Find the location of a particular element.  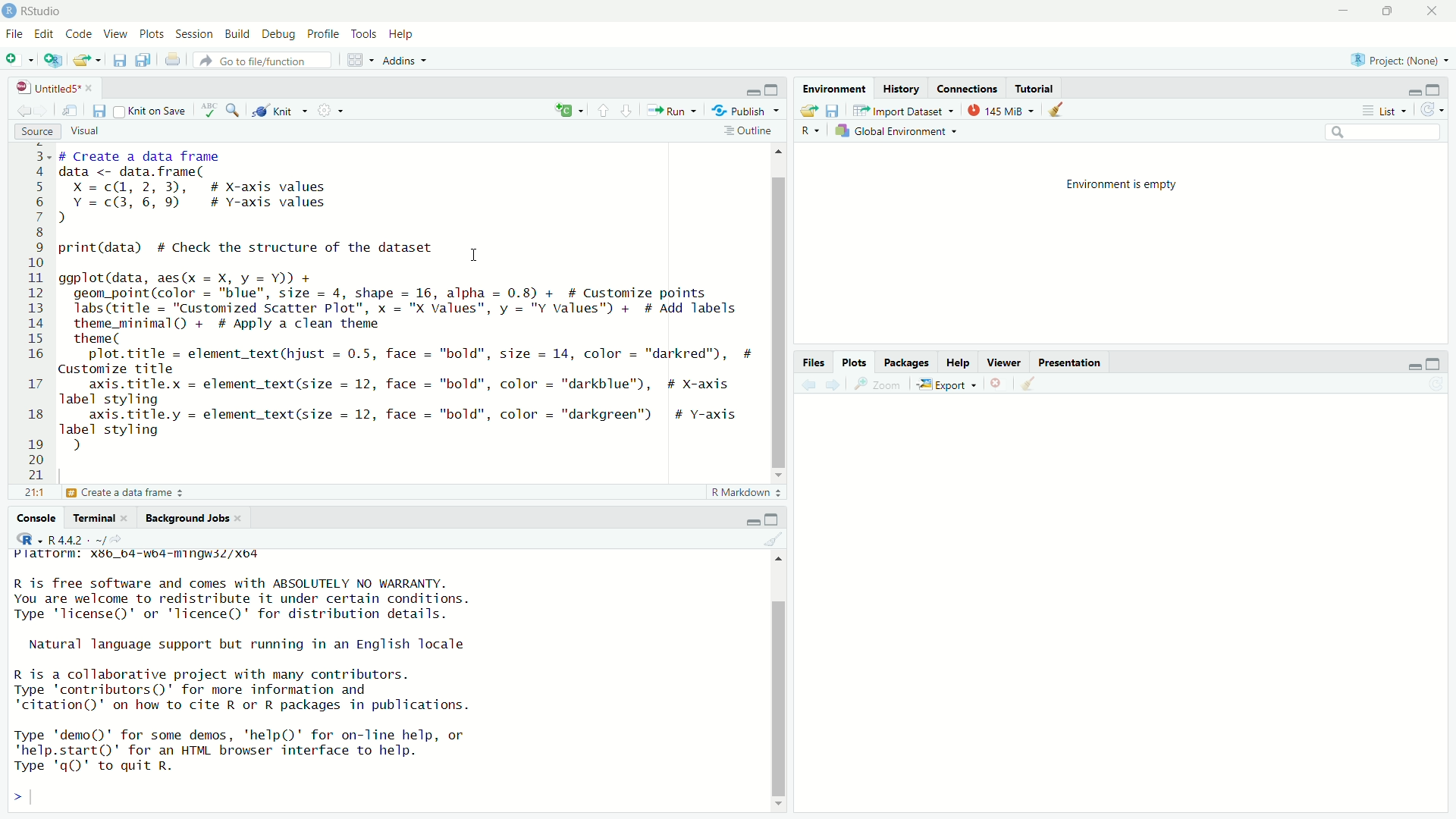

Go to file/function is located at coordinates (262, 60).